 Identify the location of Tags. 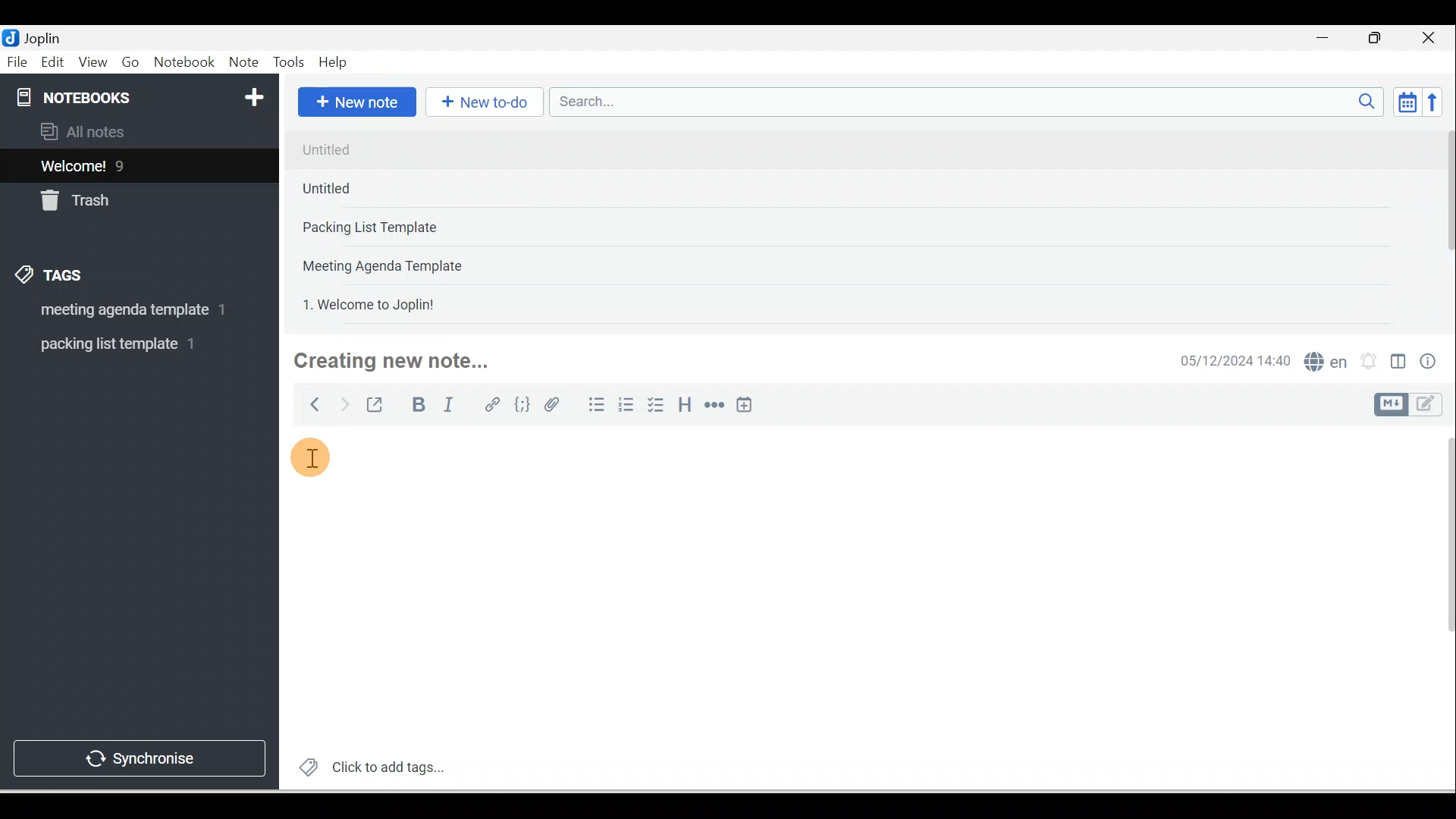
(54, 278).